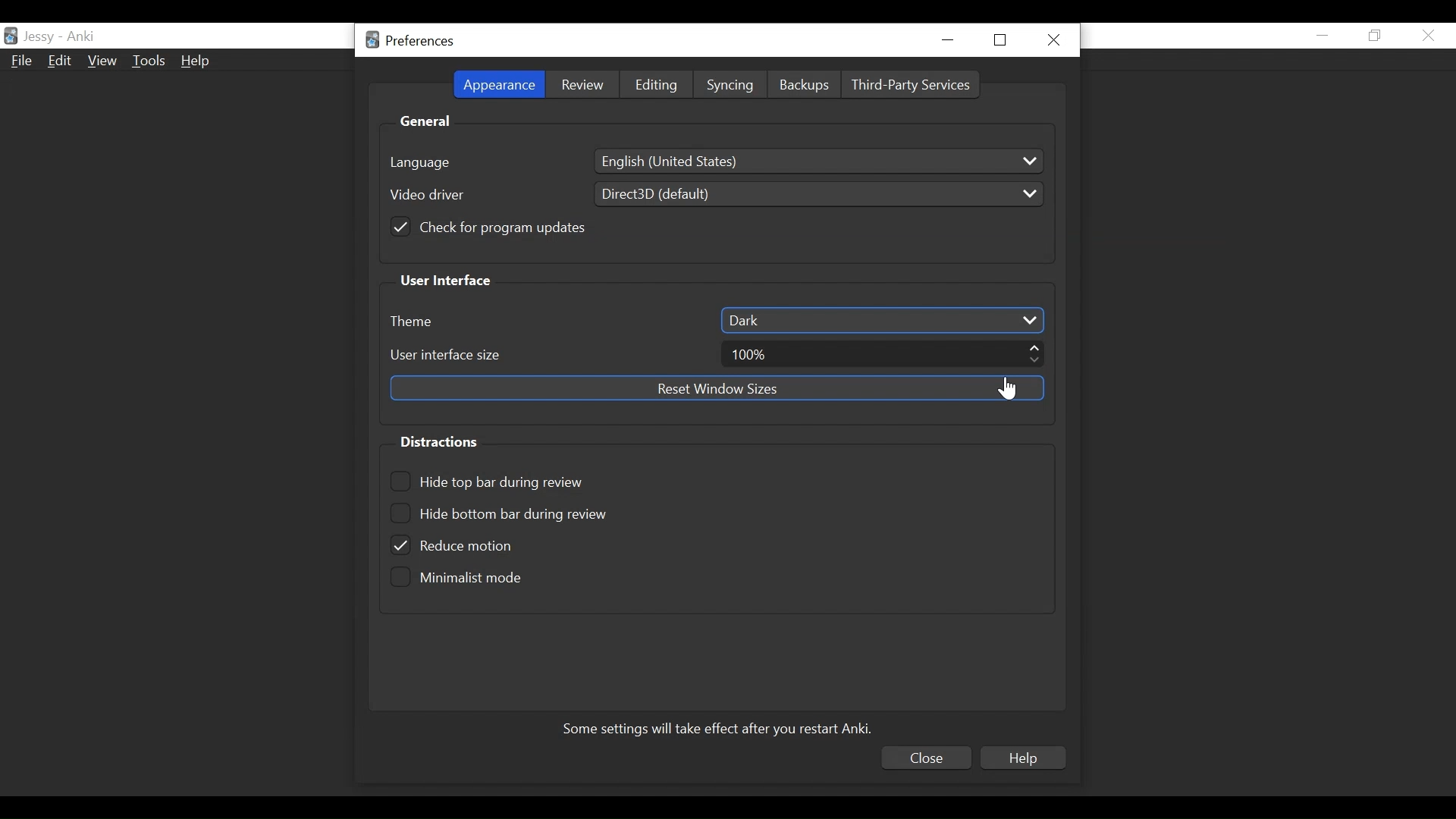  Describe the element at coordinates (101, 59) in the screenshot. I see `View` at that location.